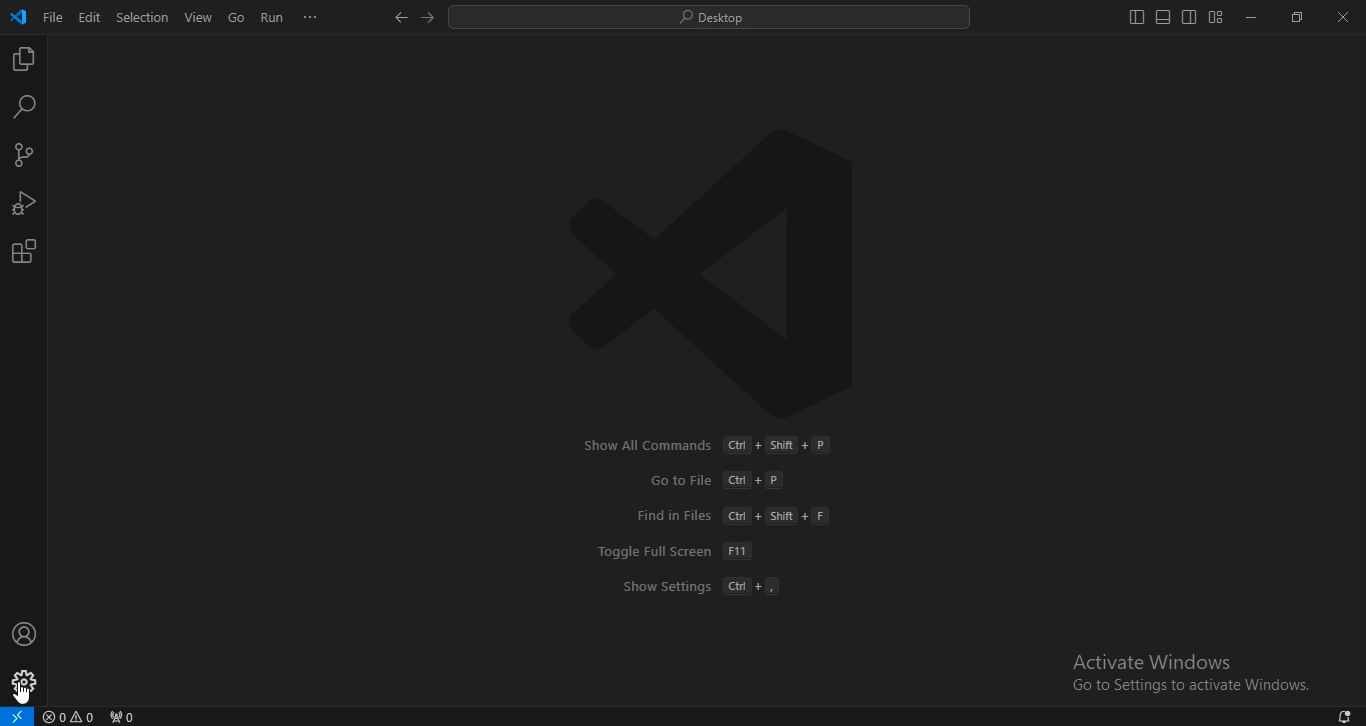  I want to click on toggle secondary side bar, so click(1188, 16).